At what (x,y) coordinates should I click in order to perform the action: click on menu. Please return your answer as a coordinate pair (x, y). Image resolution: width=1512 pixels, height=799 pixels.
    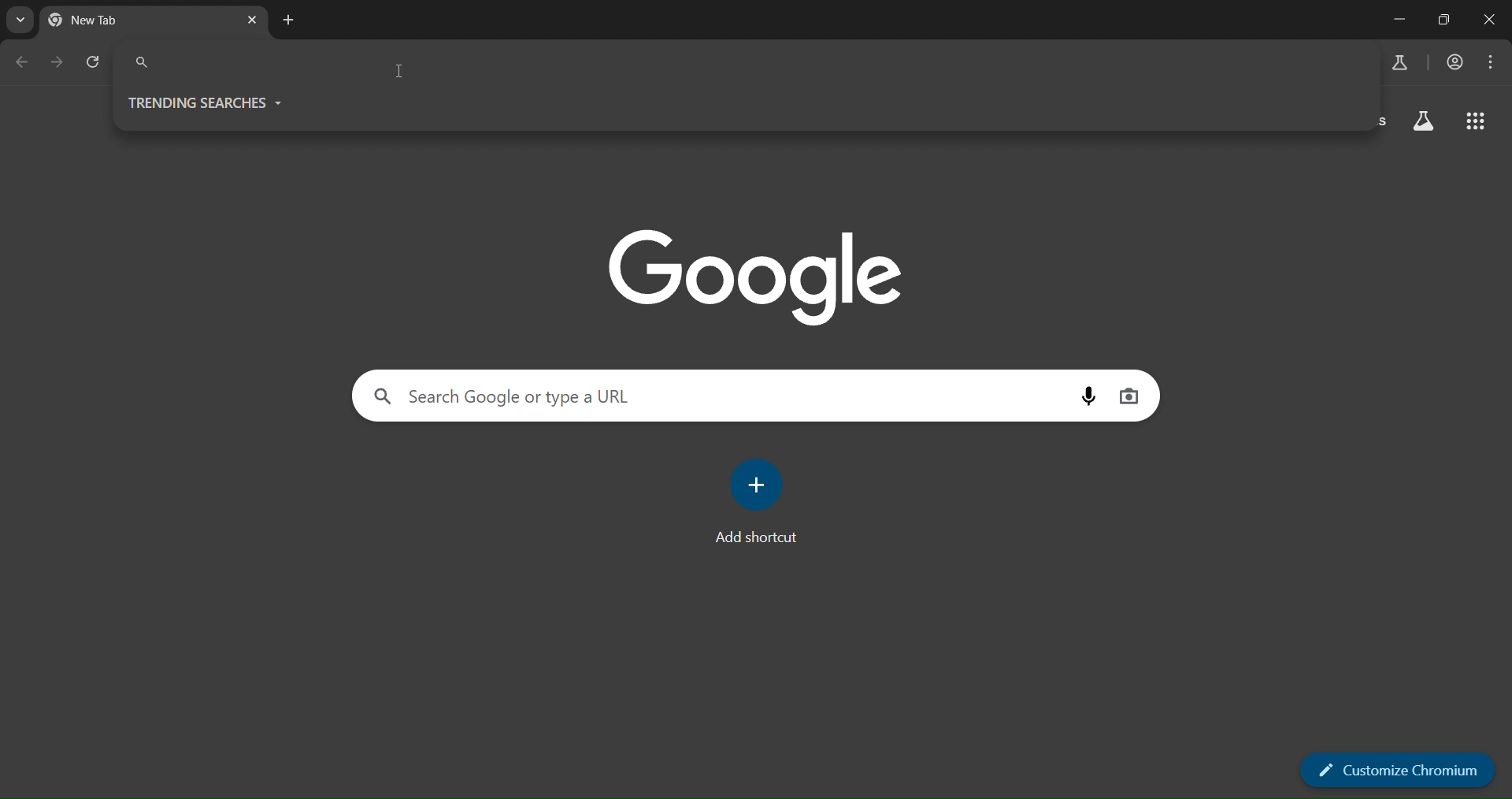
    Looking at the image, I should click on (1490, 62).